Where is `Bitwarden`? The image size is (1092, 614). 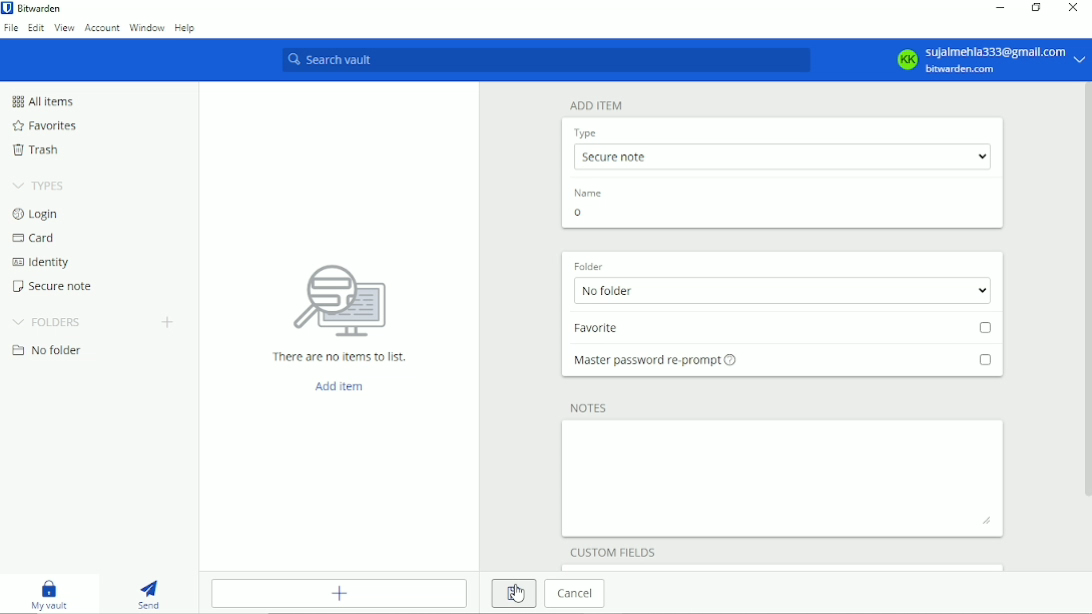 Bitwarden is located at coordinates (35, 8).